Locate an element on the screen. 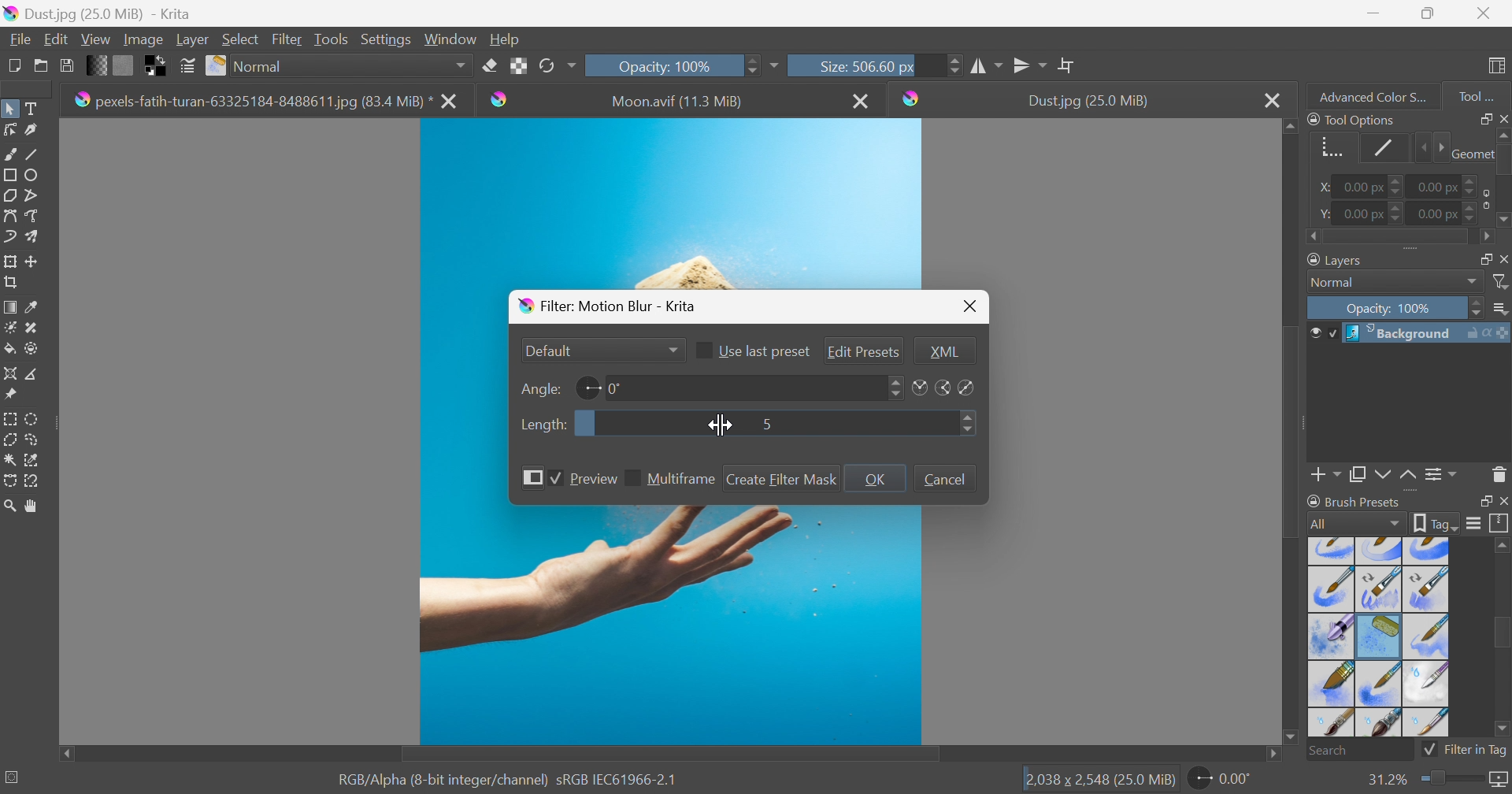  Filter is located at coordinates (1502, 282).